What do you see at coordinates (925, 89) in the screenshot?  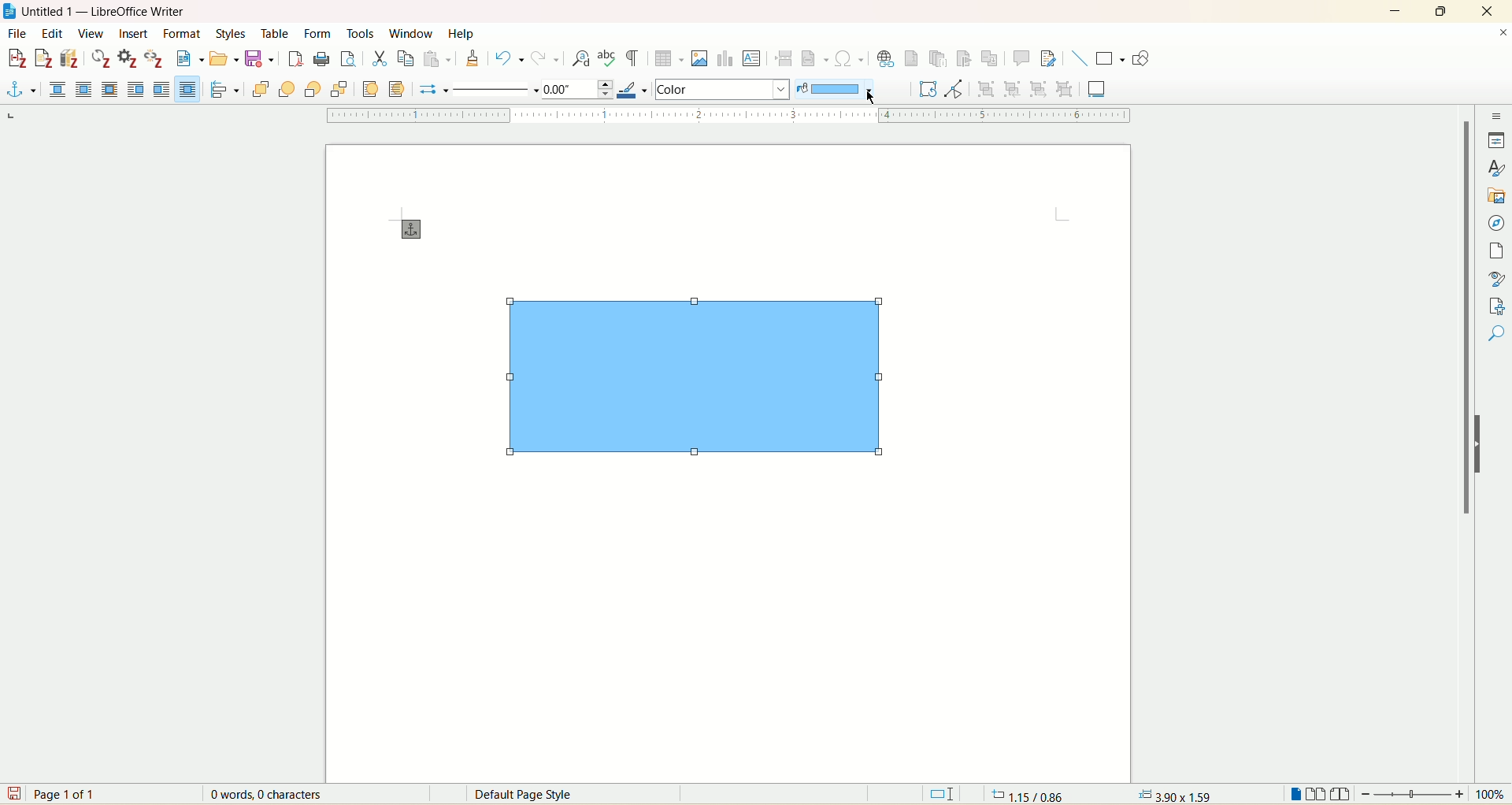 I see `rotate` at bounding box center [925, 89].